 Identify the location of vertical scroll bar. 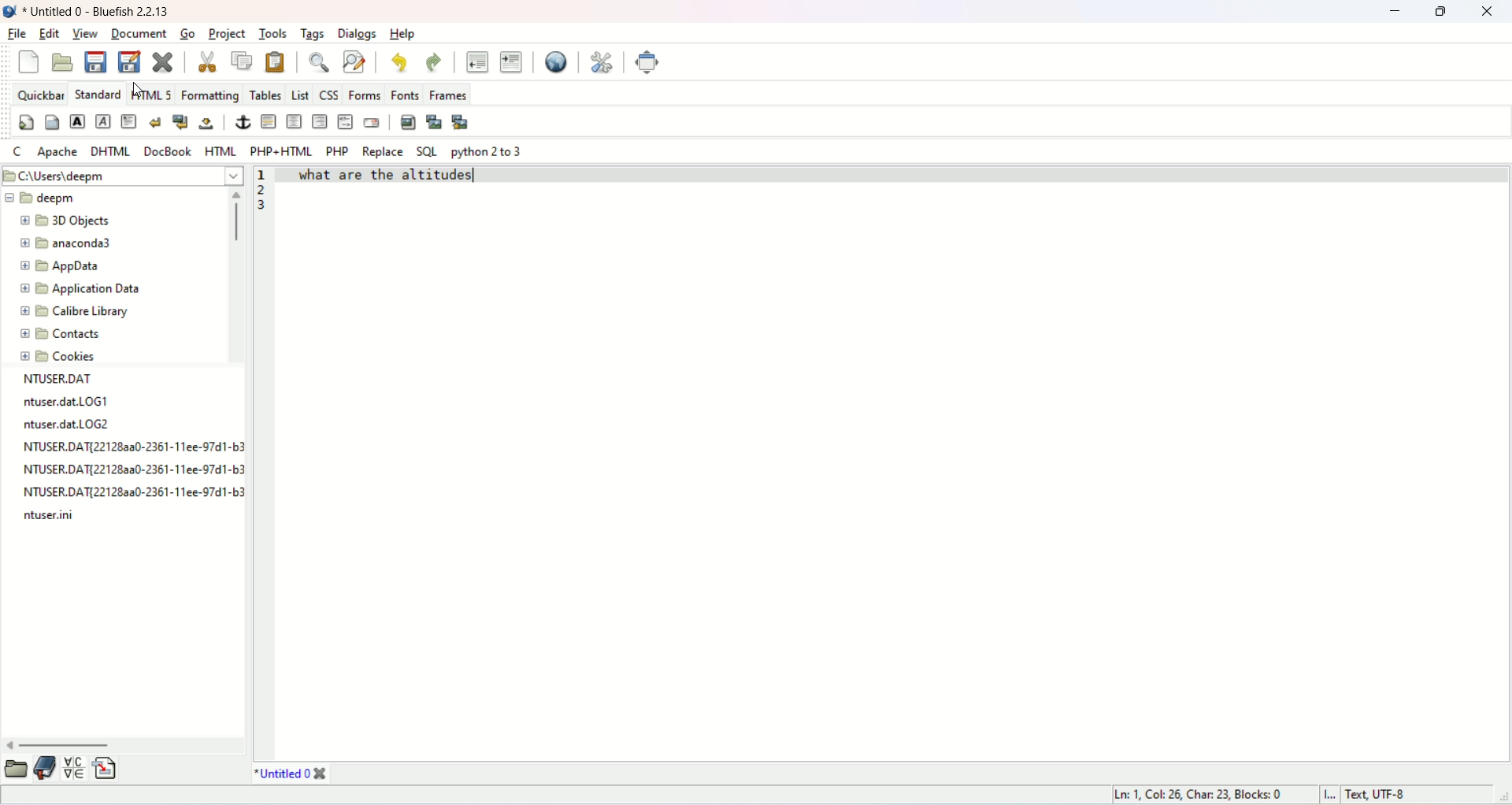
(233, 276).